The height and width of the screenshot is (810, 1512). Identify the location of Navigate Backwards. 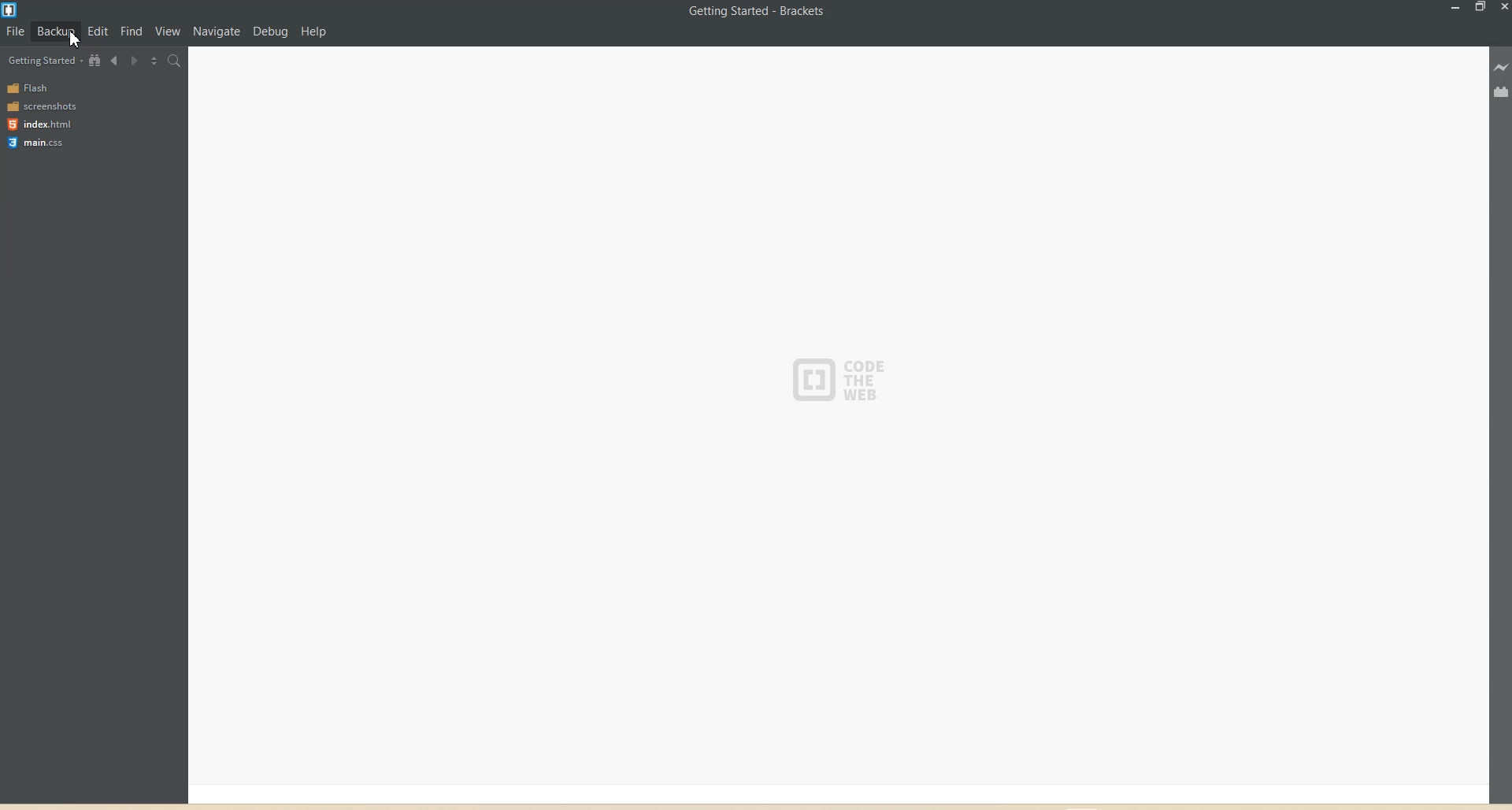
(115, 59).